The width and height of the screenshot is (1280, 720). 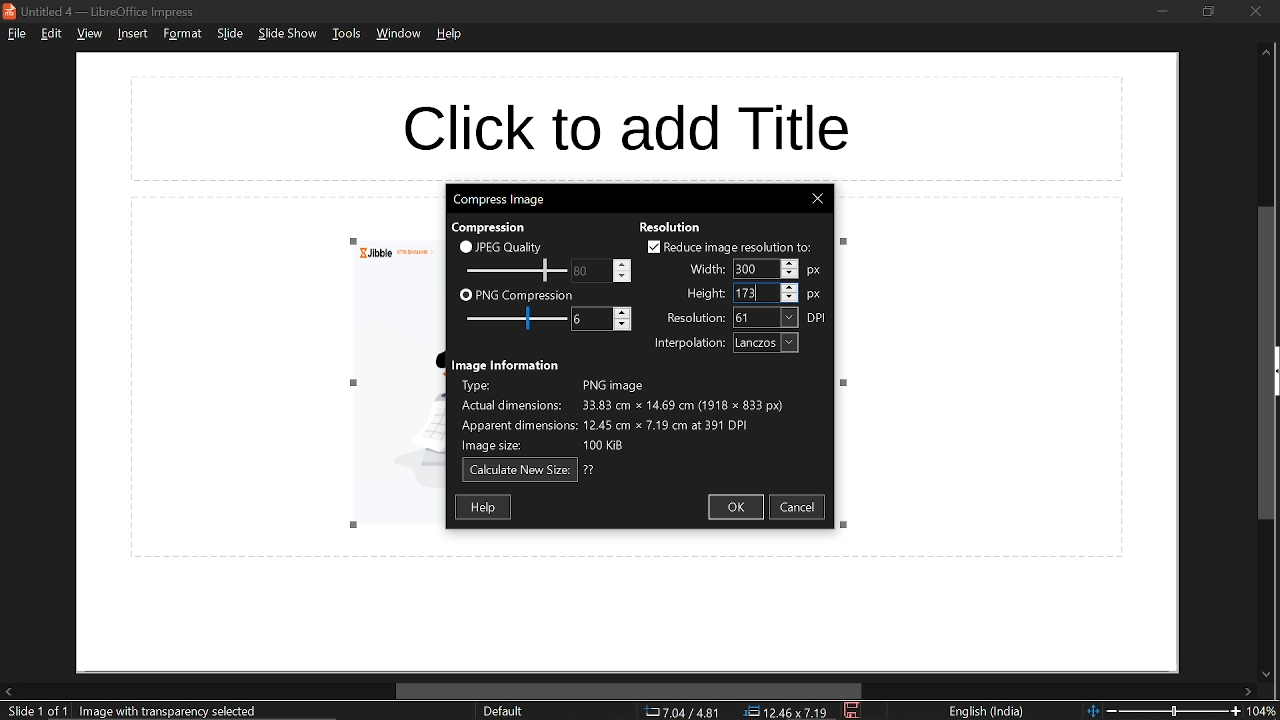 What do you see at coordinates (791, 263) in the screenshot?
I see `Increase ` at bounding box center [791, 263].